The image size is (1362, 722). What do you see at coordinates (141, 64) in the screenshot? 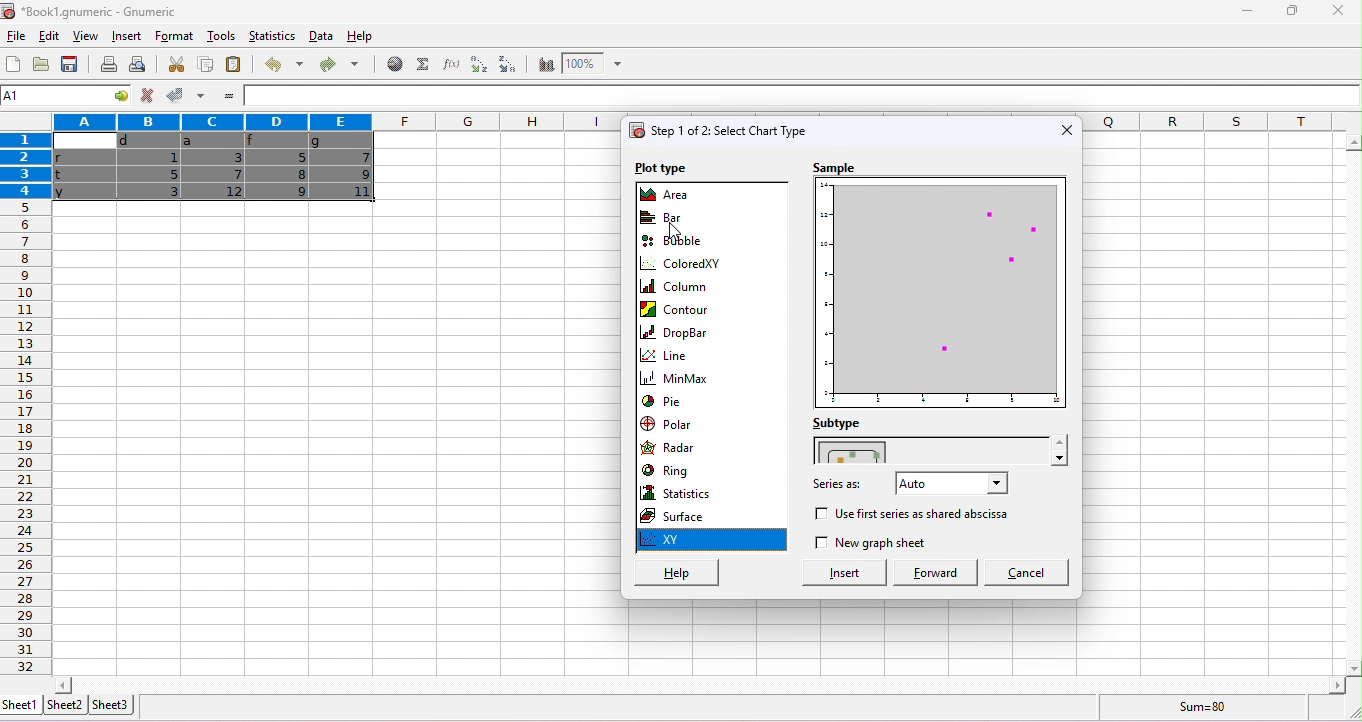
I see `print preview` at bounding box center [141, 64].